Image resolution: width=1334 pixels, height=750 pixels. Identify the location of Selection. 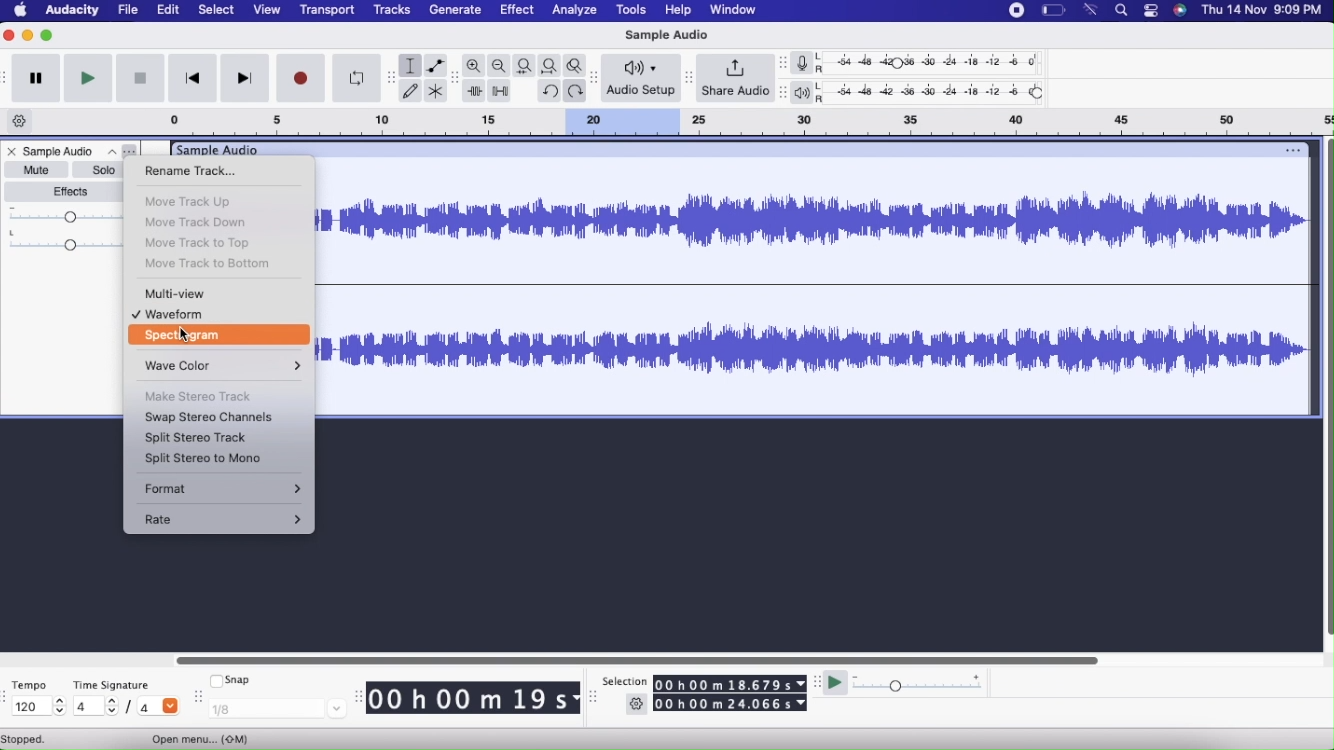
(626, 682).